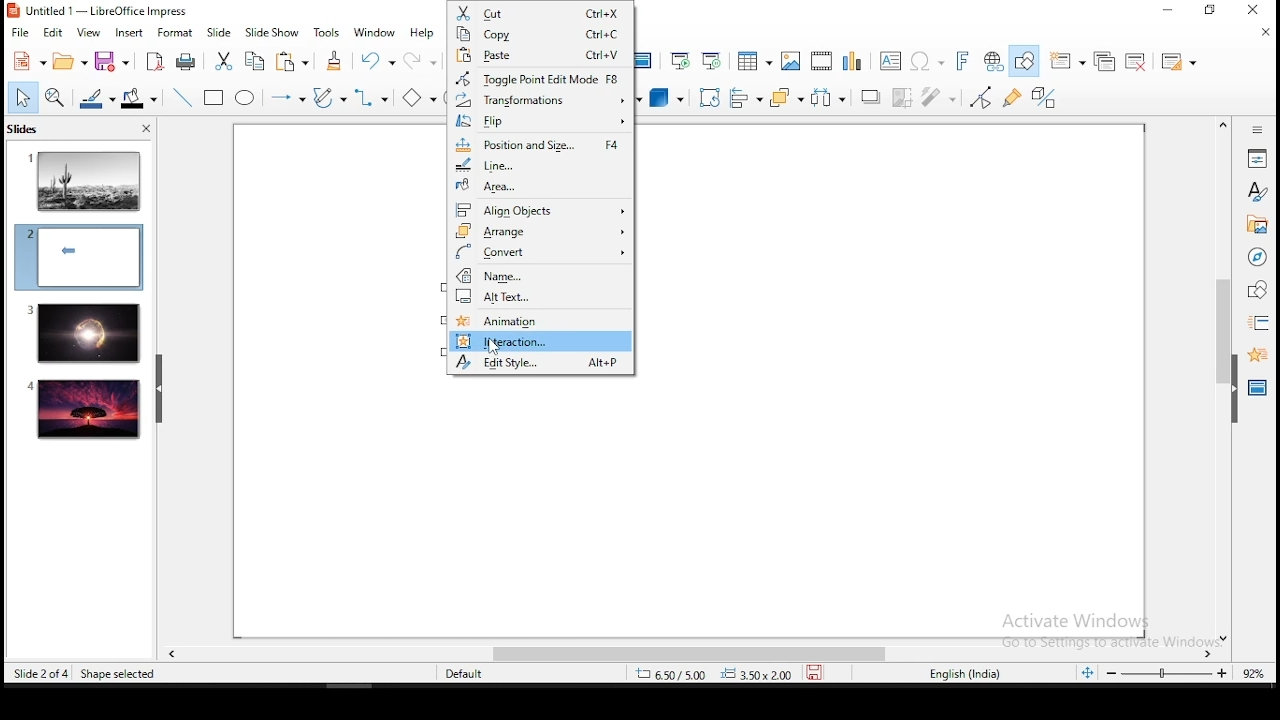  Describe the element at coordinates (95, 99) in the screenshot. I see `line fill` at that location.